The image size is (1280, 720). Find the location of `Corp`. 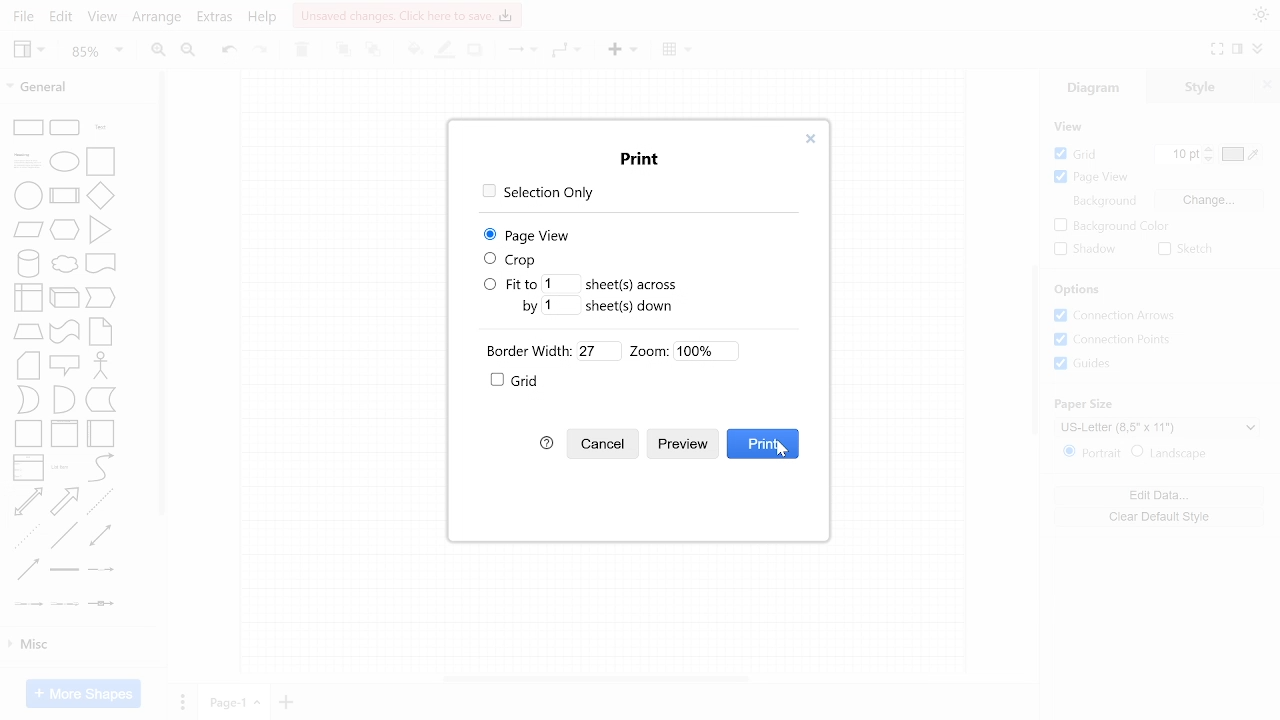

Corp is located at coordinates (512, 260).